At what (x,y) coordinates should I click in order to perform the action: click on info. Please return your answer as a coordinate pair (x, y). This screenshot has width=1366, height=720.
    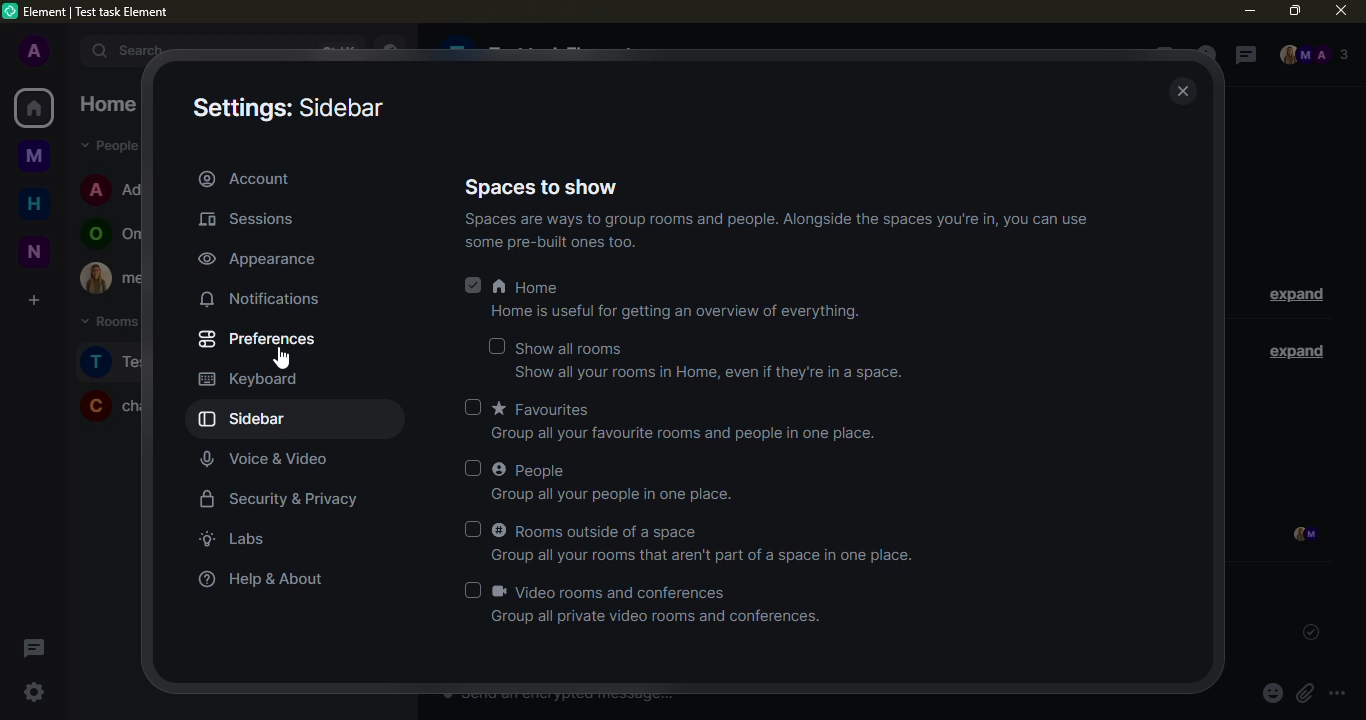
    Looking at the image, I should click on (619, 494).